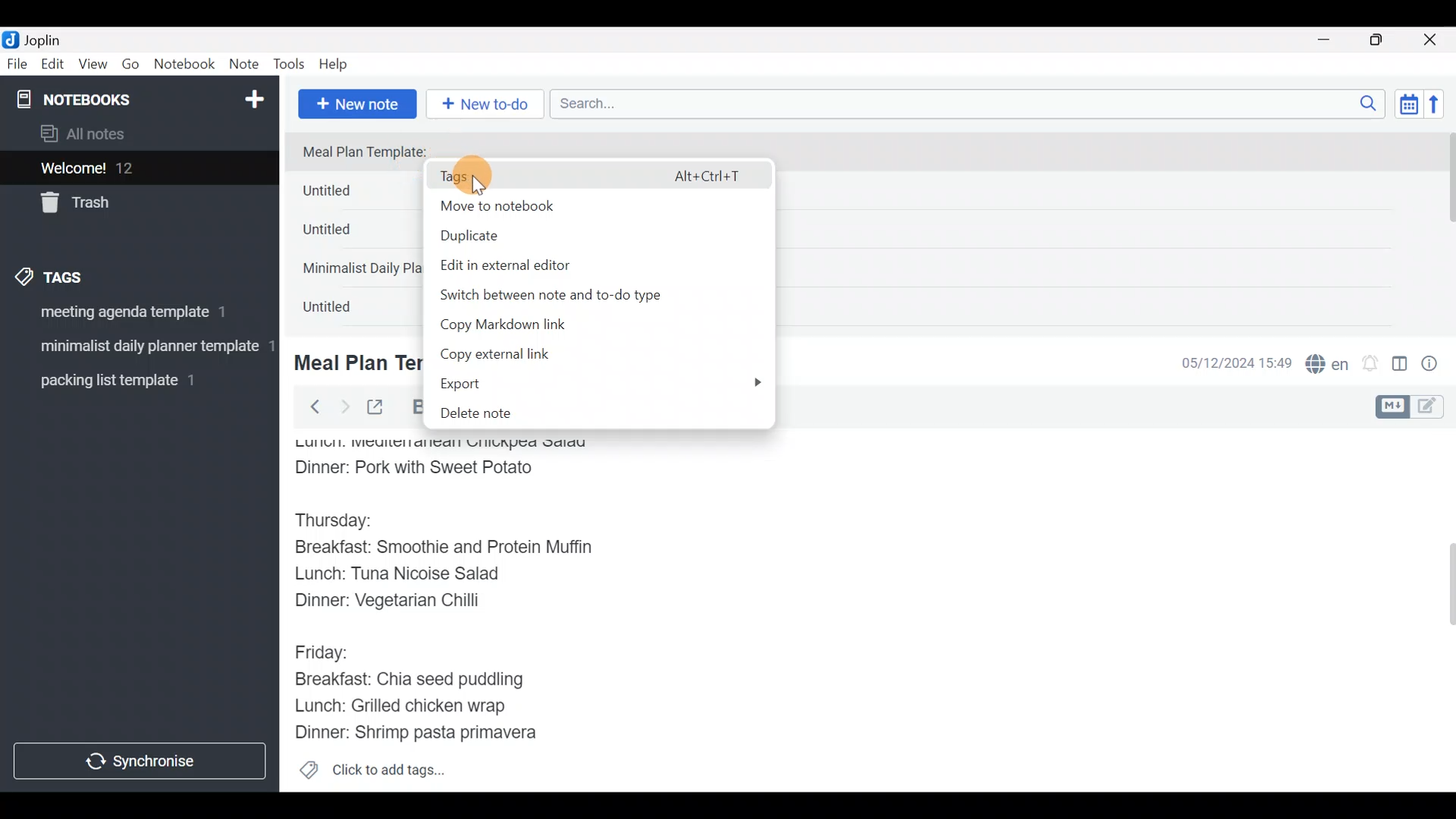 The image size is (1456, 819). What do you see at coordinates (352, 194) in the screenshot?
I see `Untitled` at bounding box center [352, 194].